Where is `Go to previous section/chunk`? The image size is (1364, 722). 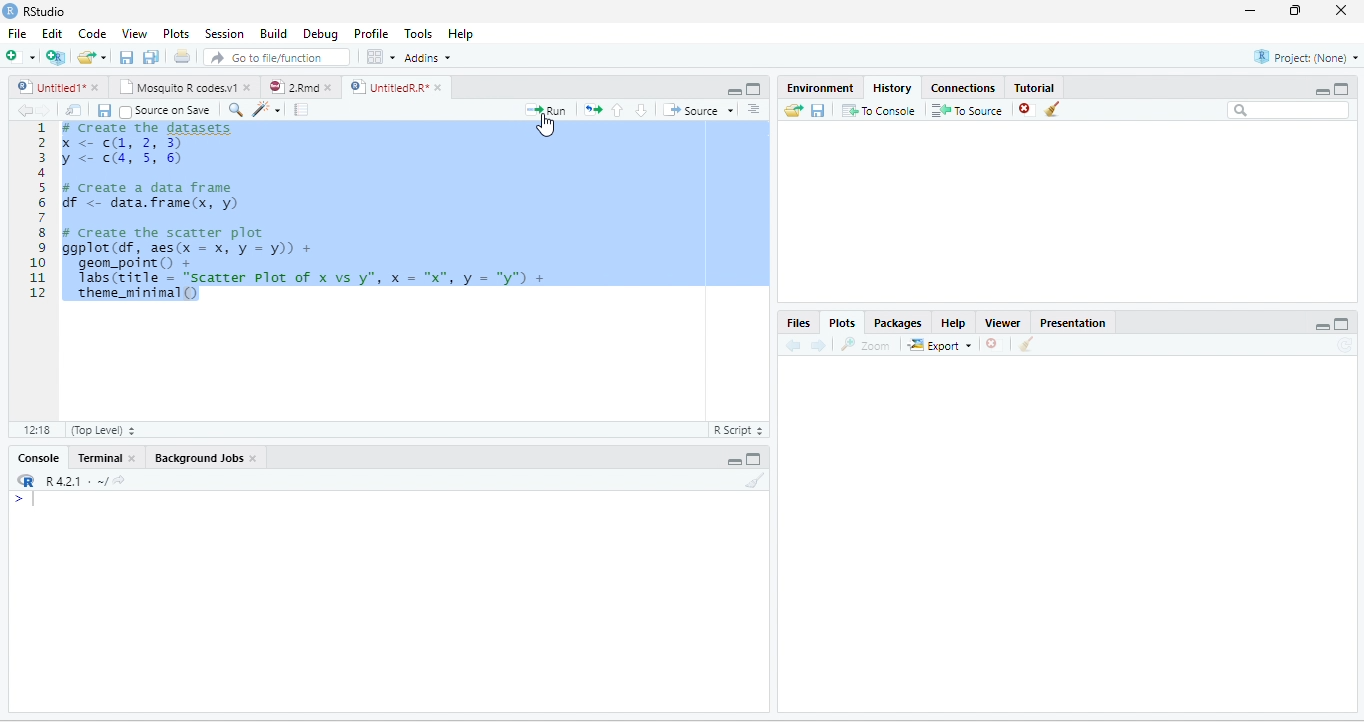 Go to previous section/chunk is located at coordinates (618, 110).